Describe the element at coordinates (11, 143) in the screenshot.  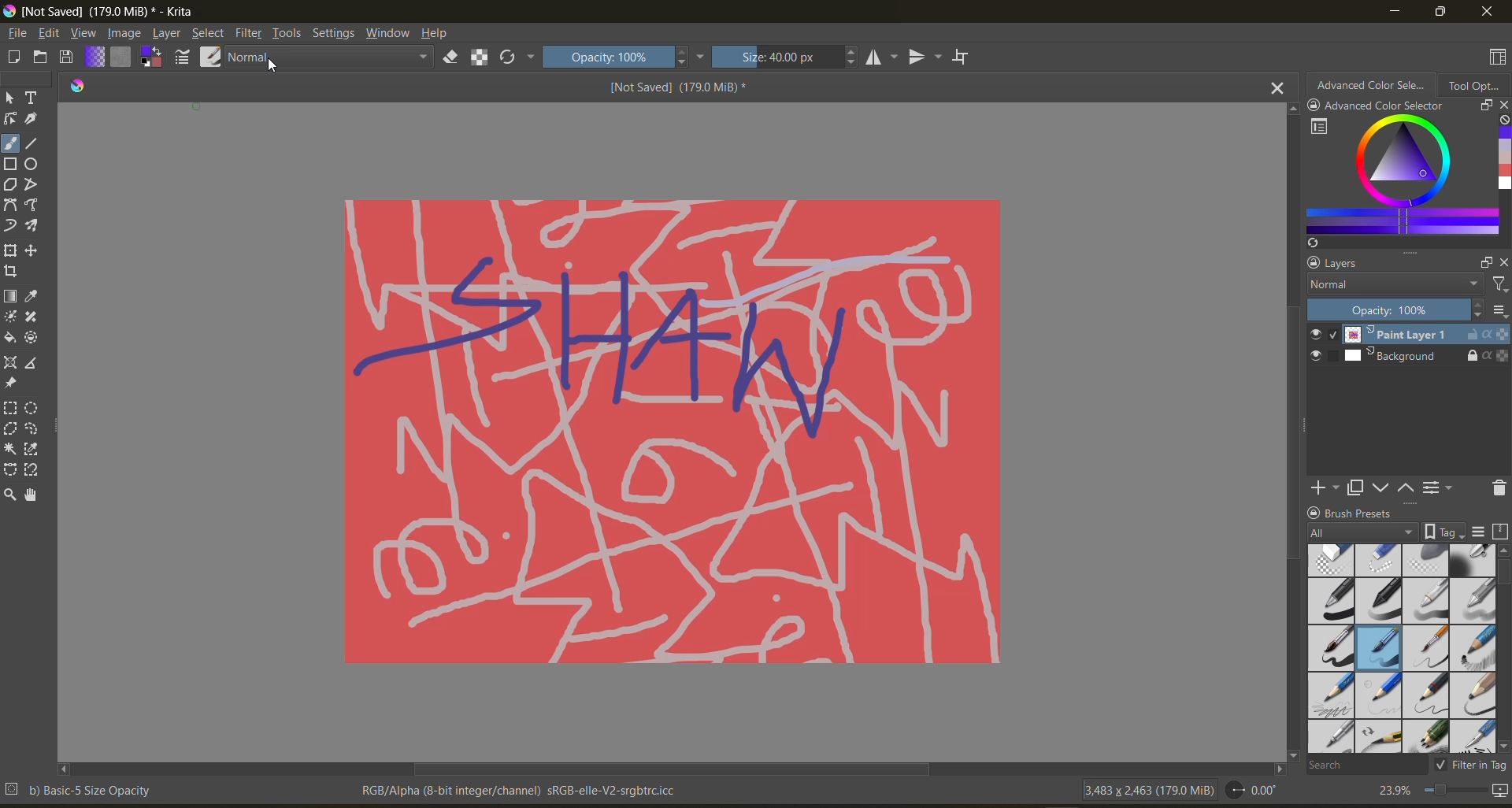
I see `free hand brush` at that location.